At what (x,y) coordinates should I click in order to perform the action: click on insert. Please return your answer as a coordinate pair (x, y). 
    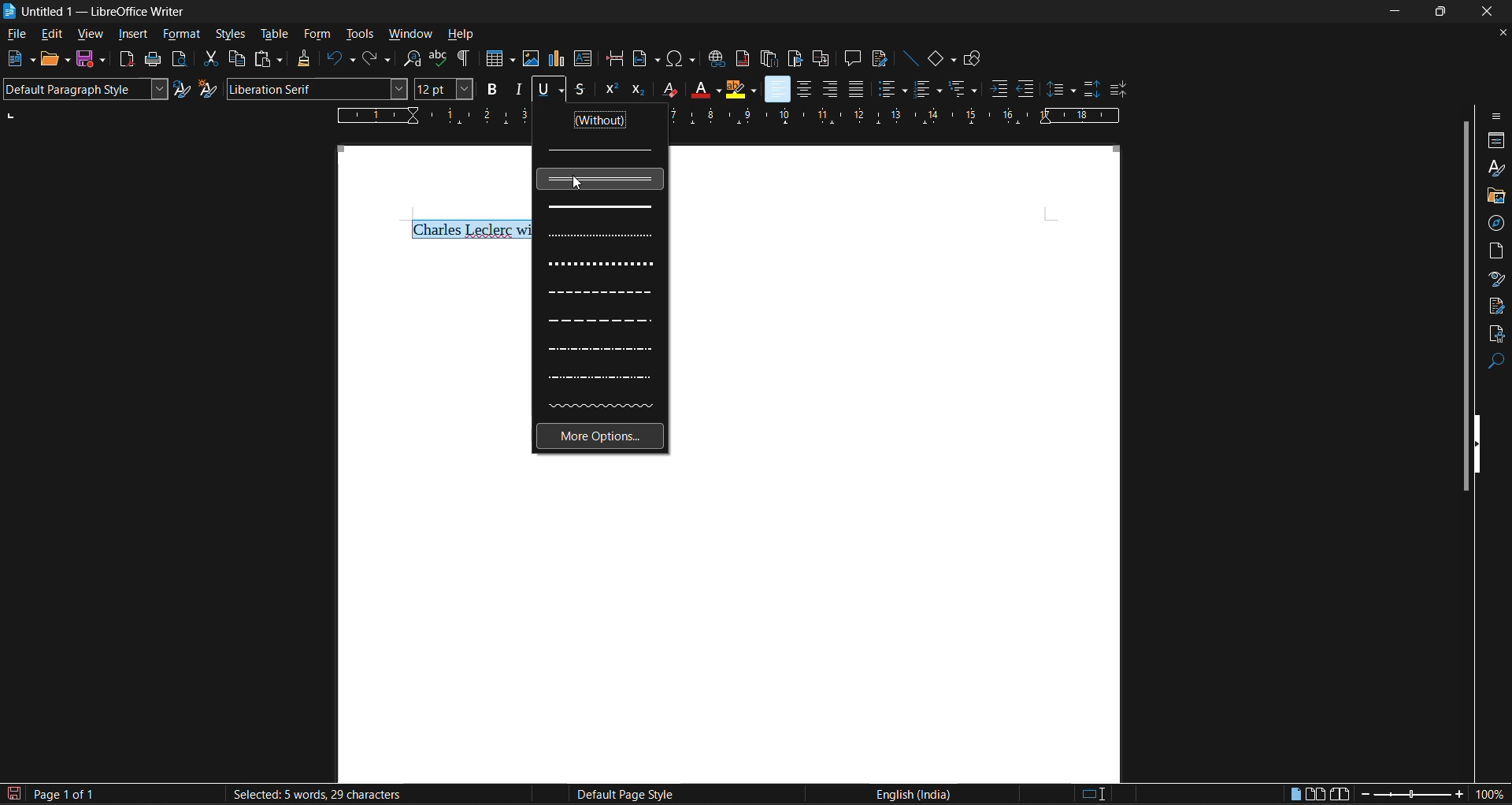
    Looking at the image, I should click on (132, 35).